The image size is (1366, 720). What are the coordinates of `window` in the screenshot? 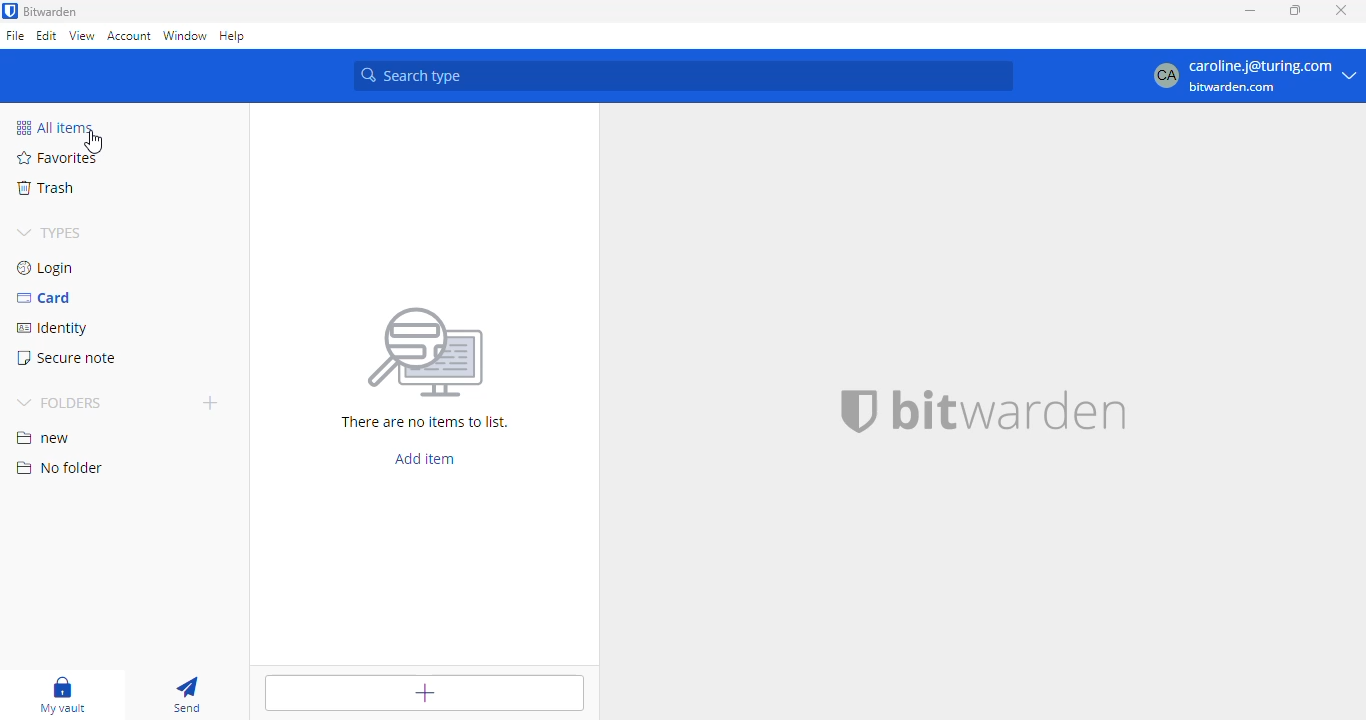 It's located at (185, 36).